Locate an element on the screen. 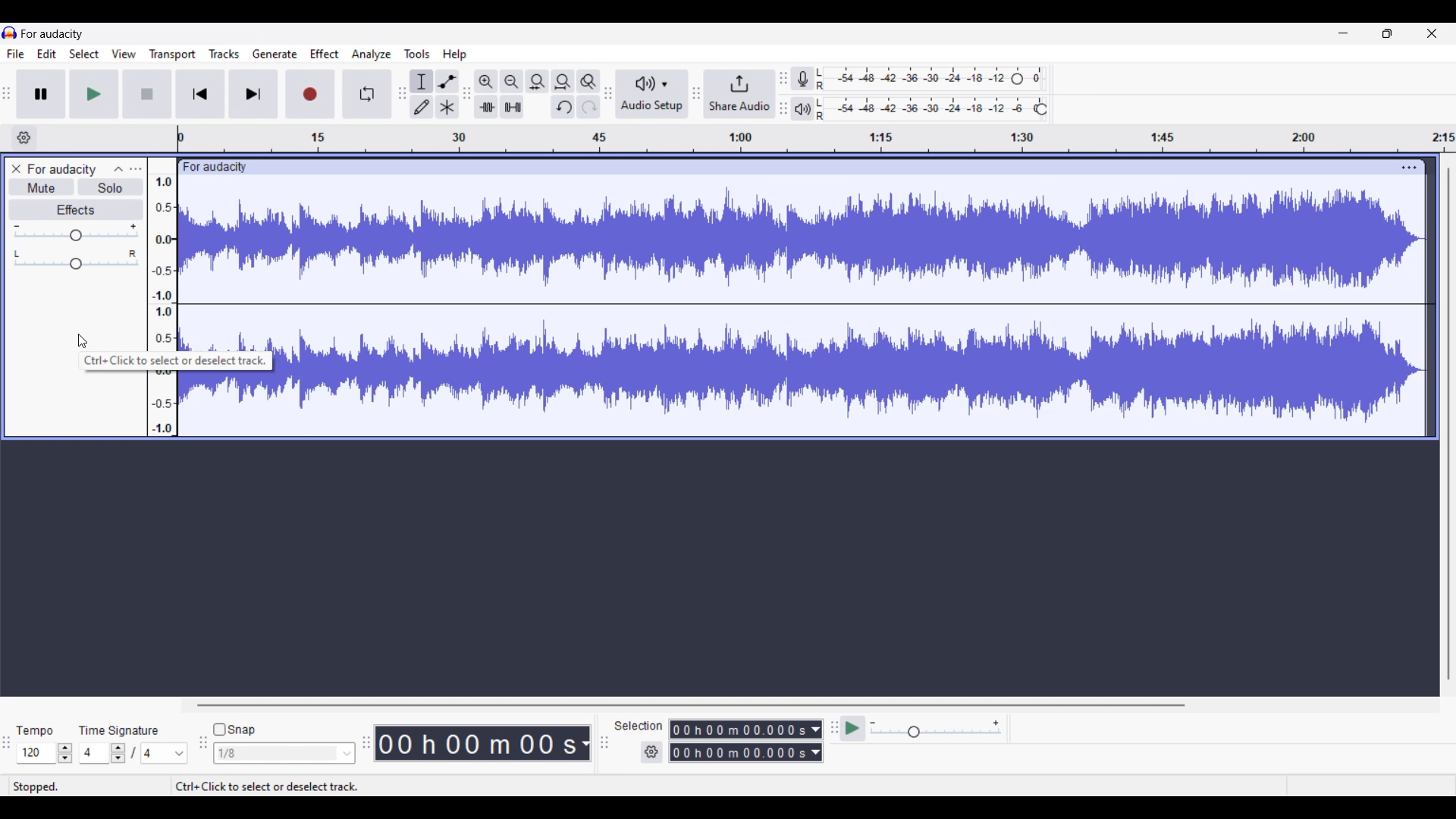 The image size is (1456, 819). Software logo is located at coordinates (10, 33).